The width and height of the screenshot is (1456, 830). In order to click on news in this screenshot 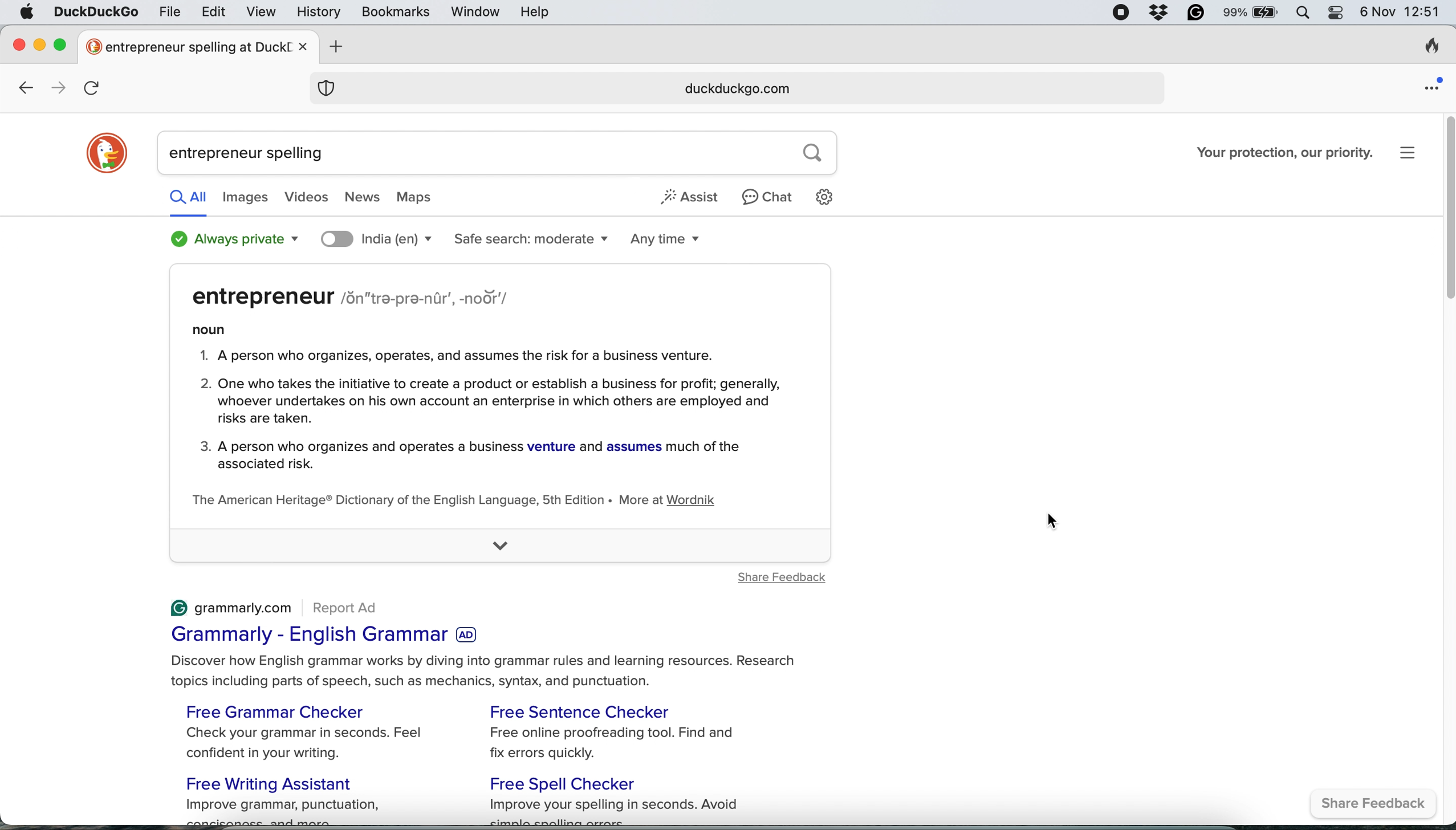, I will do `click(363, 198)`.